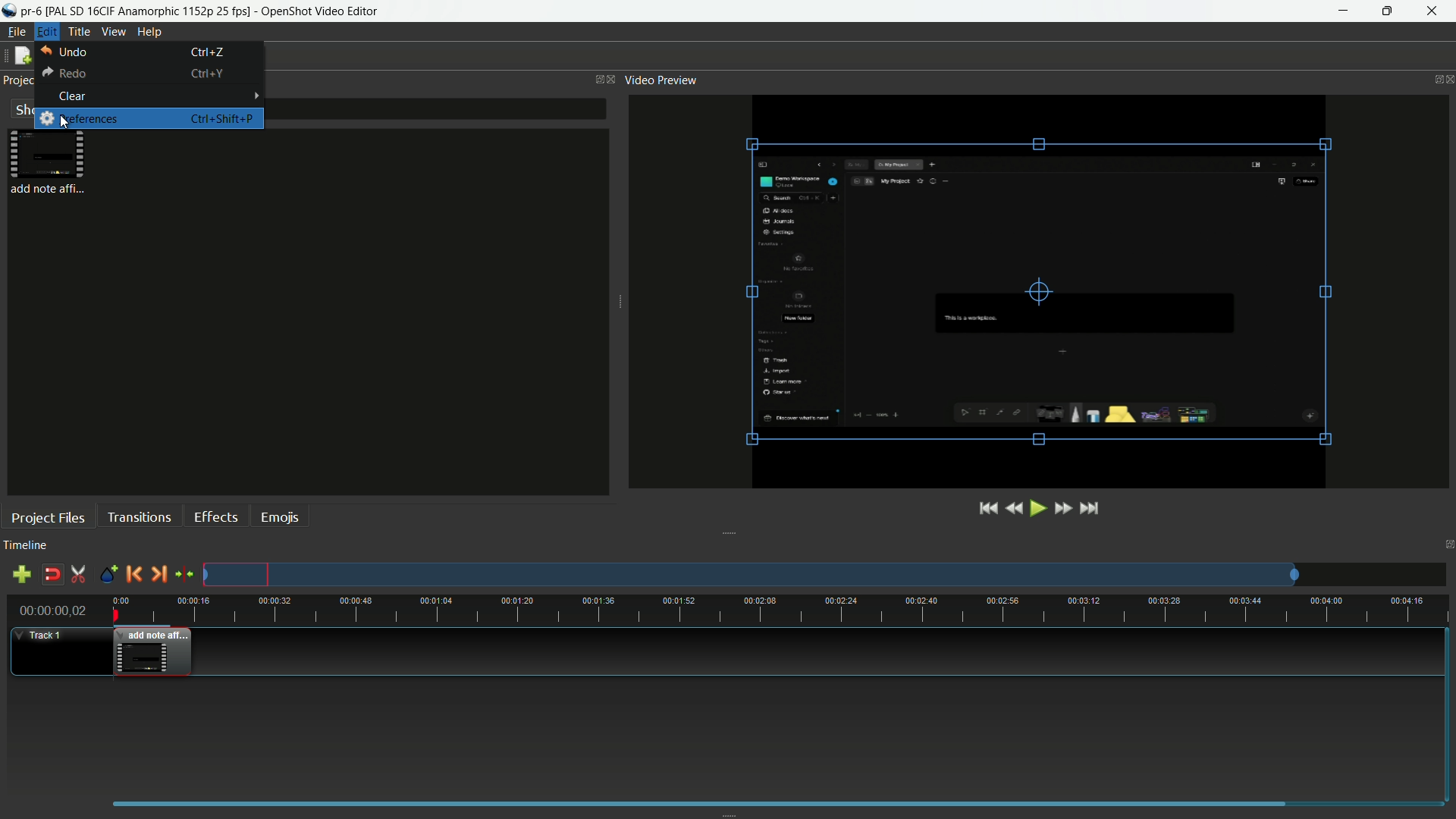 This screenshot has height=819, width=1456. I want to click on project files, so click(49, 164).